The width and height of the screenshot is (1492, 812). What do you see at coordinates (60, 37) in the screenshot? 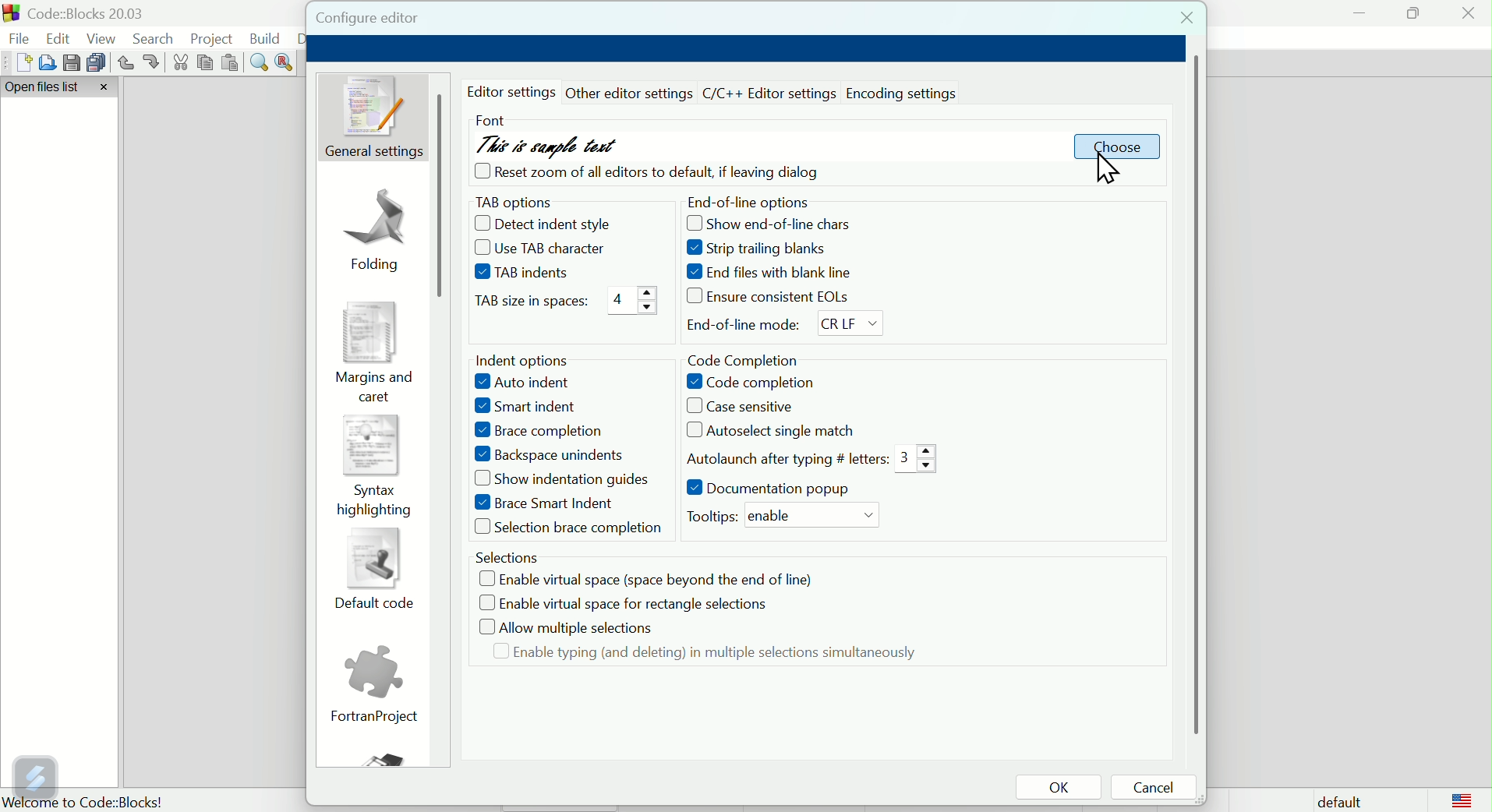
I see `Edit` at bounding box center [60, 37].